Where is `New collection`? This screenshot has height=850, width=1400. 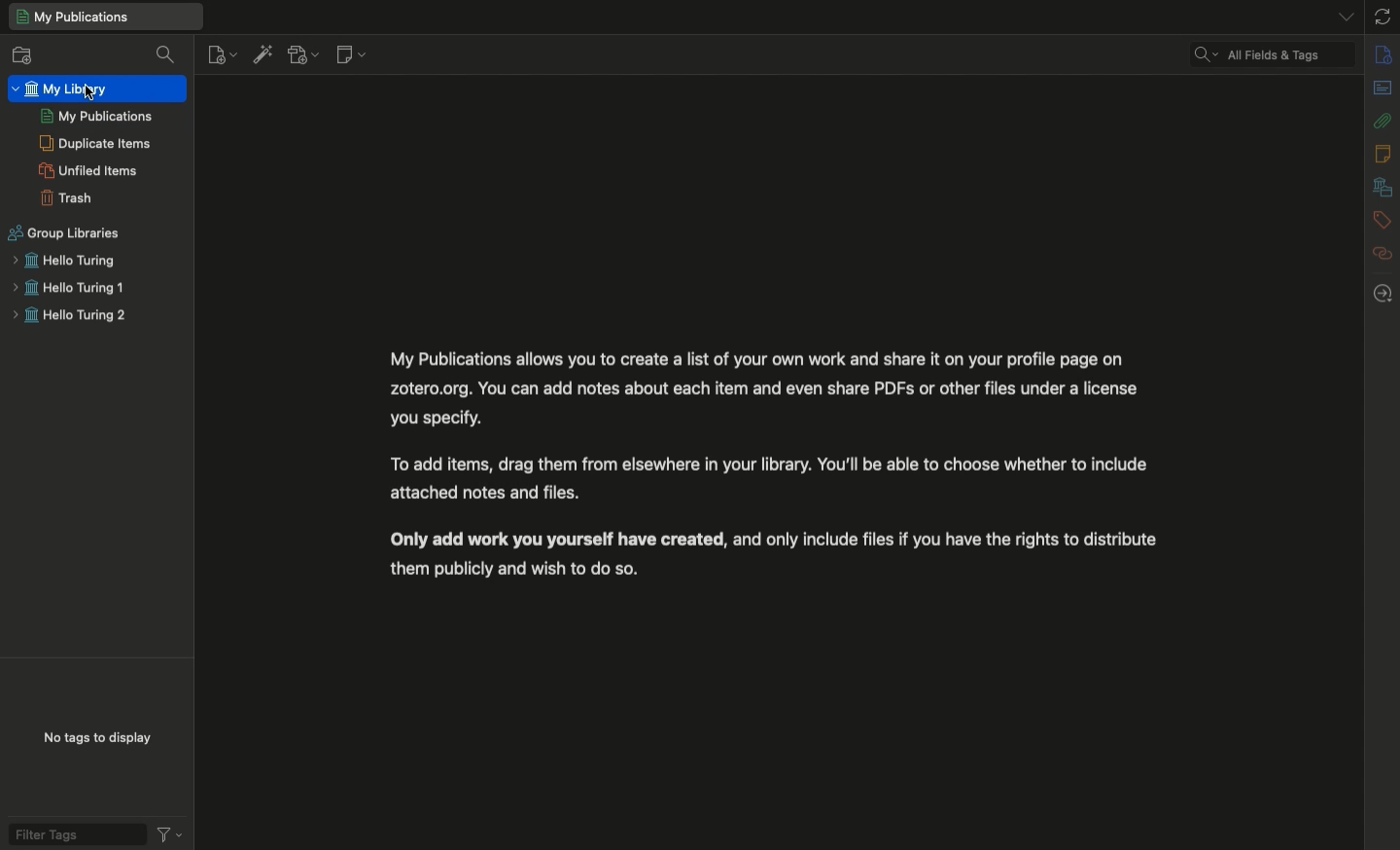 New collection is located at coordinates (22, 57).